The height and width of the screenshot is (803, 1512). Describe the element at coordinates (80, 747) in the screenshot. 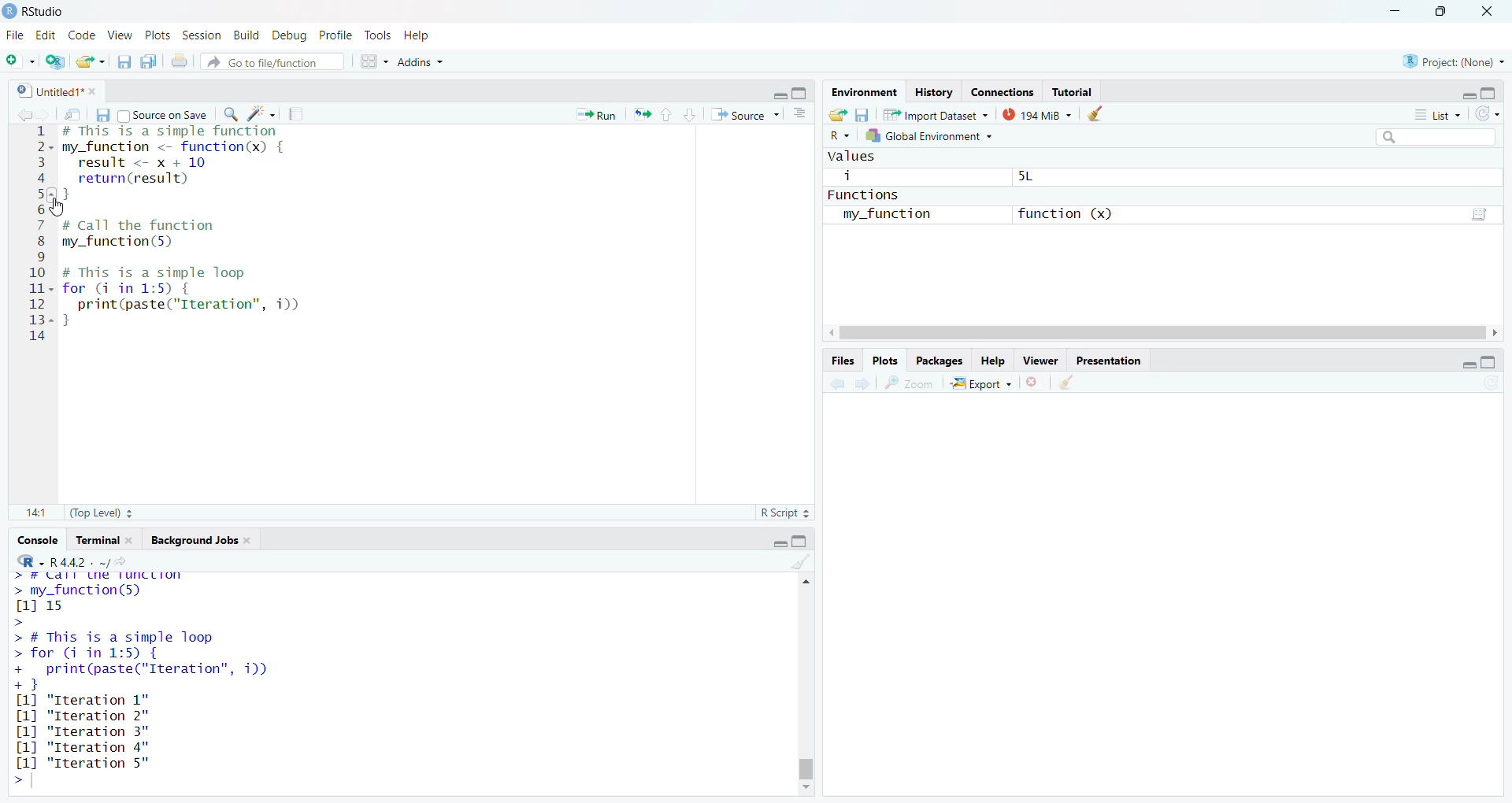

I see `[1] "Iteration 3"` at that location.